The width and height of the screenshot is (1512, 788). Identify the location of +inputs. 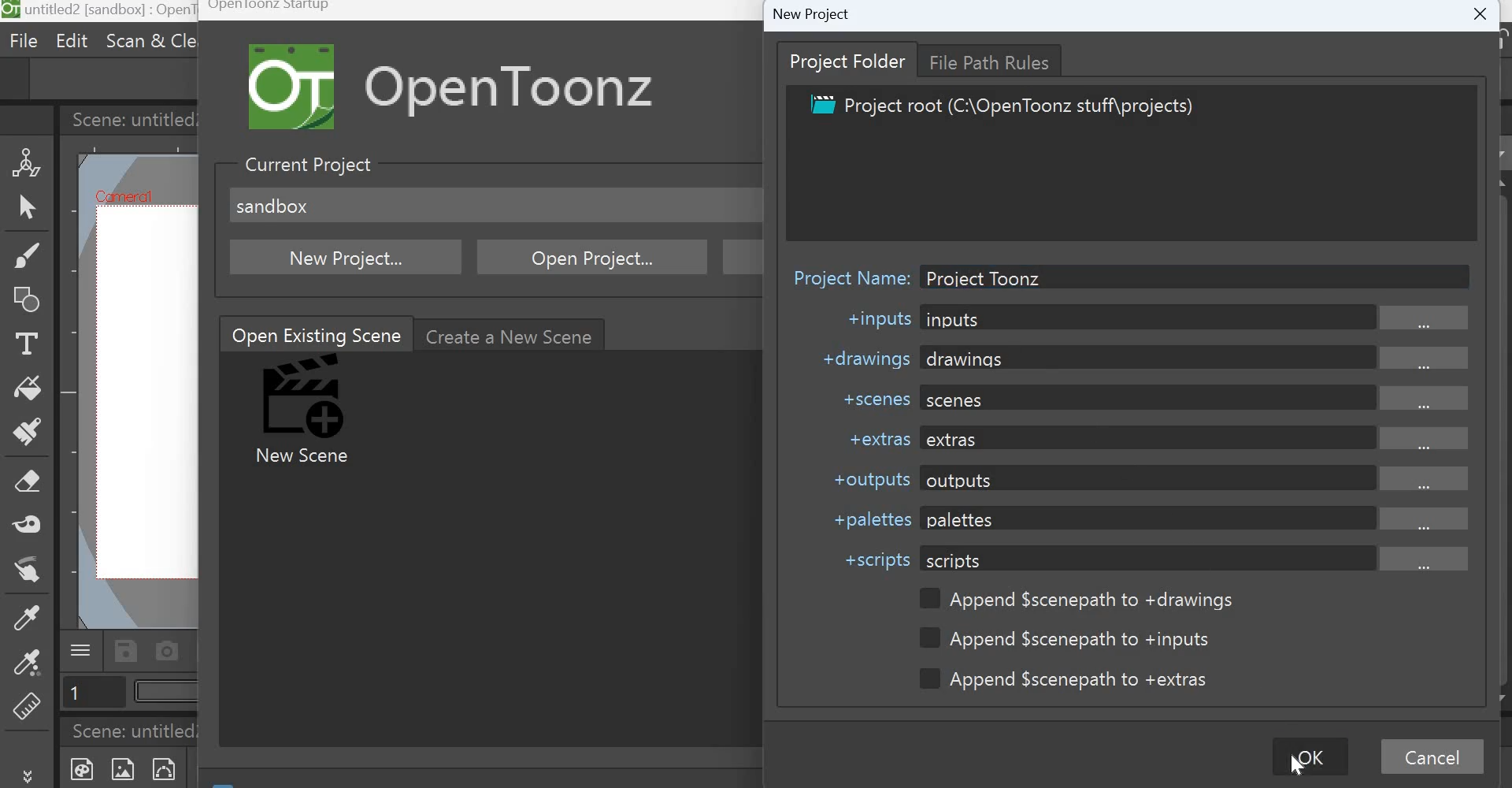
(876, 321).